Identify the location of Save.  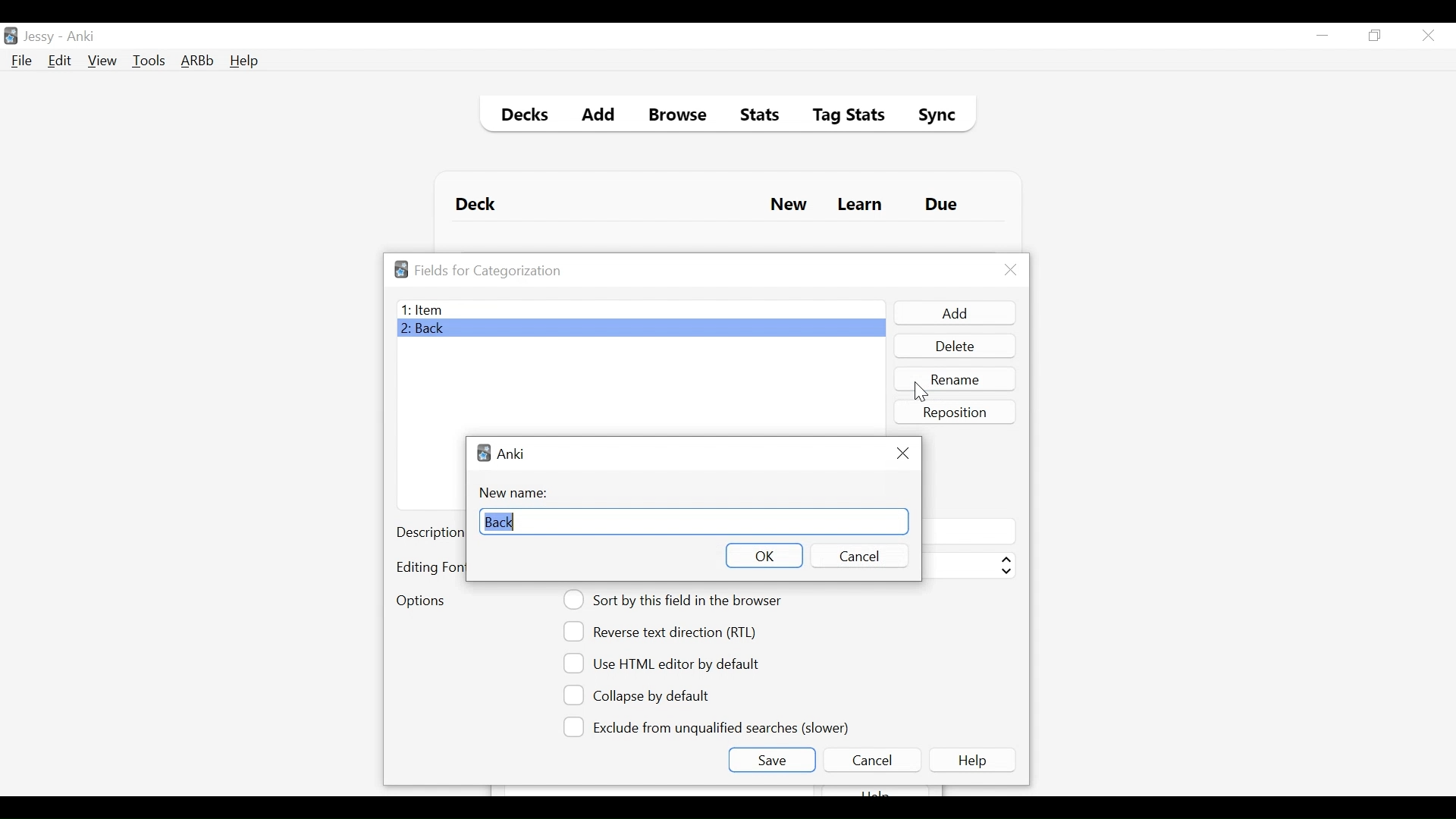
(771, 760).